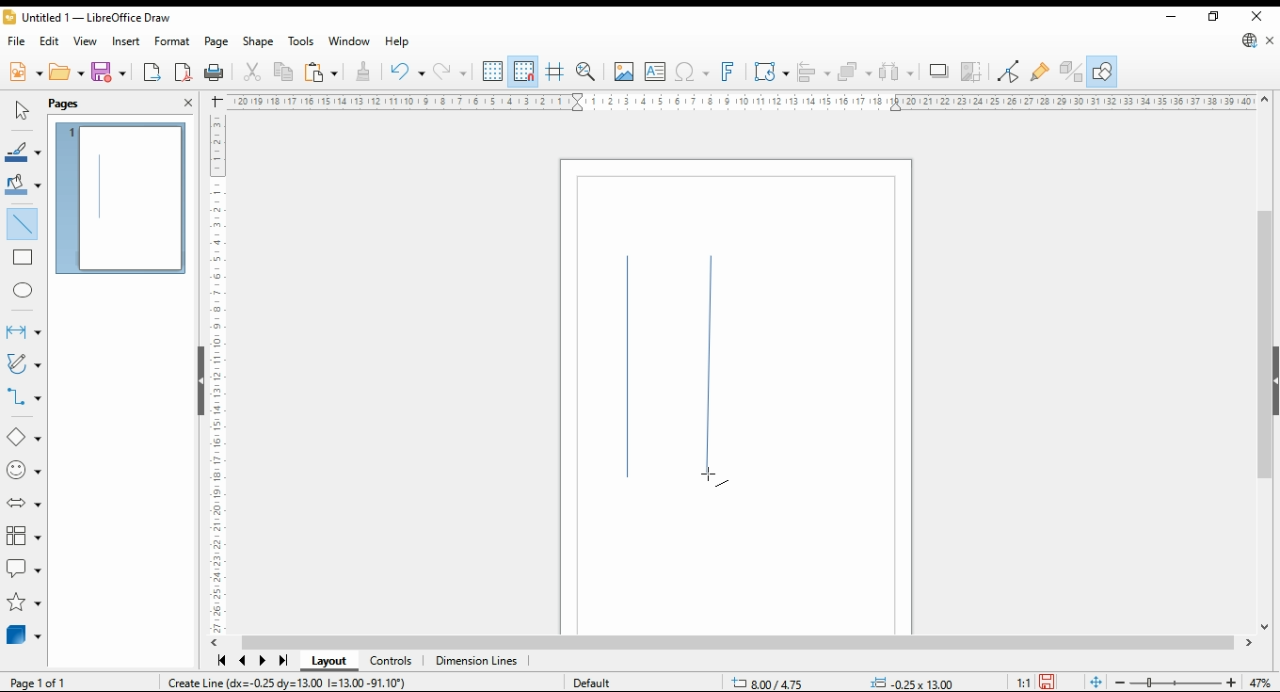  I want to click on previous page, so click(244, 662).